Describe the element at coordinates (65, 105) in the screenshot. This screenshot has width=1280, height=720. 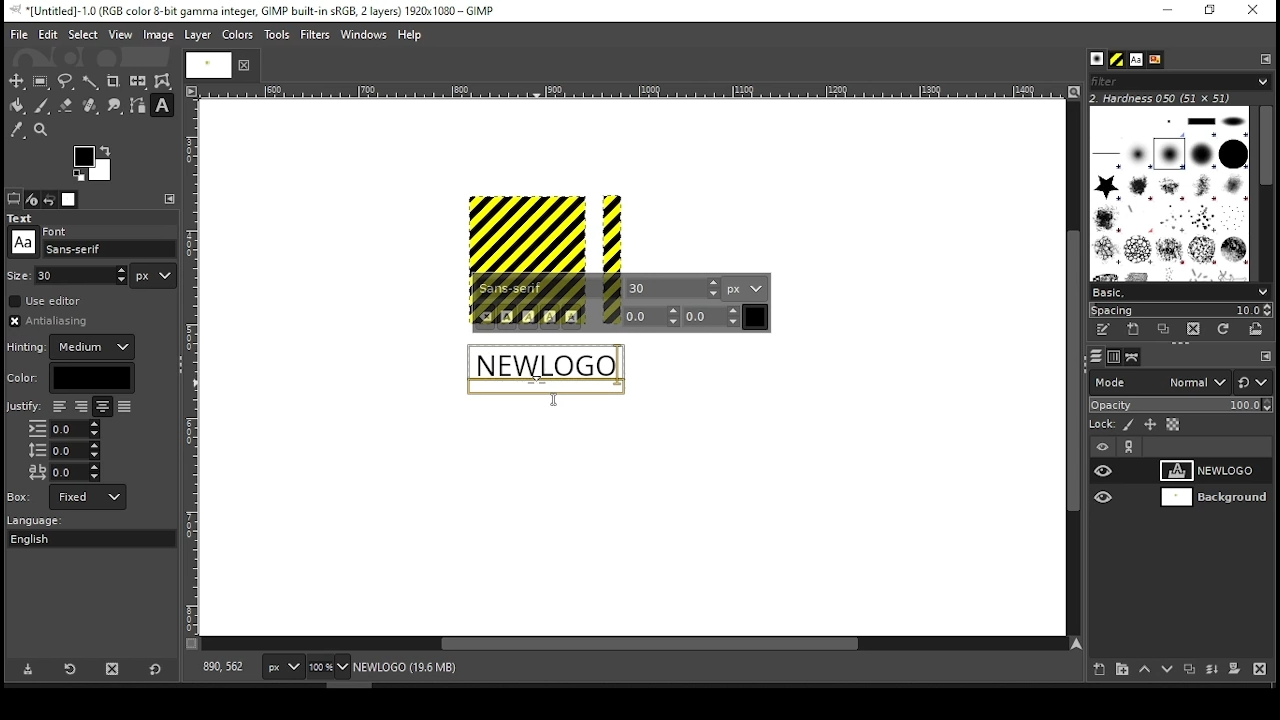
I see `eraser tool` at that location.